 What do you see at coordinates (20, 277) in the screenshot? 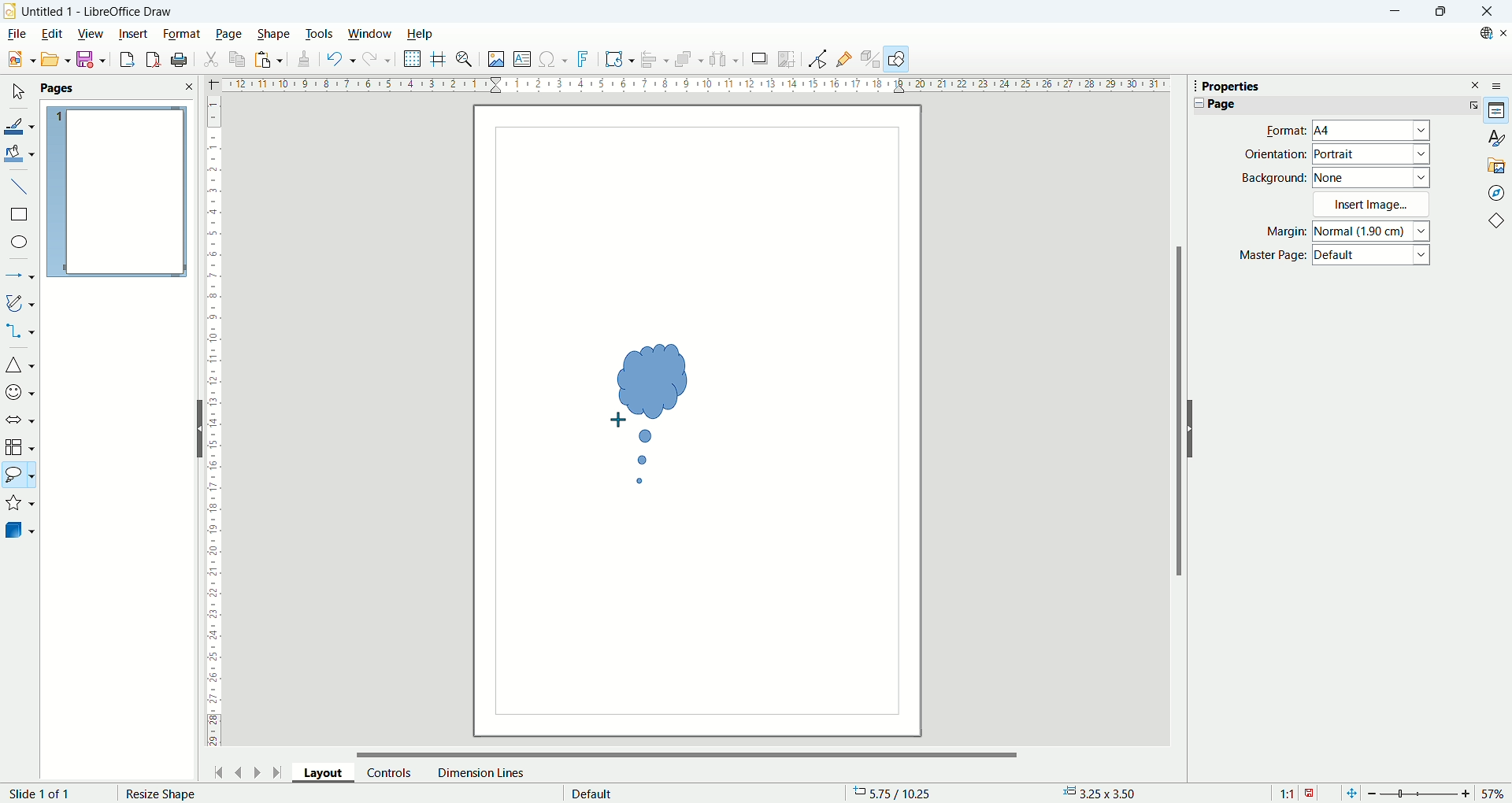
I see `lines and arrows` at bounding box center [20, 277].